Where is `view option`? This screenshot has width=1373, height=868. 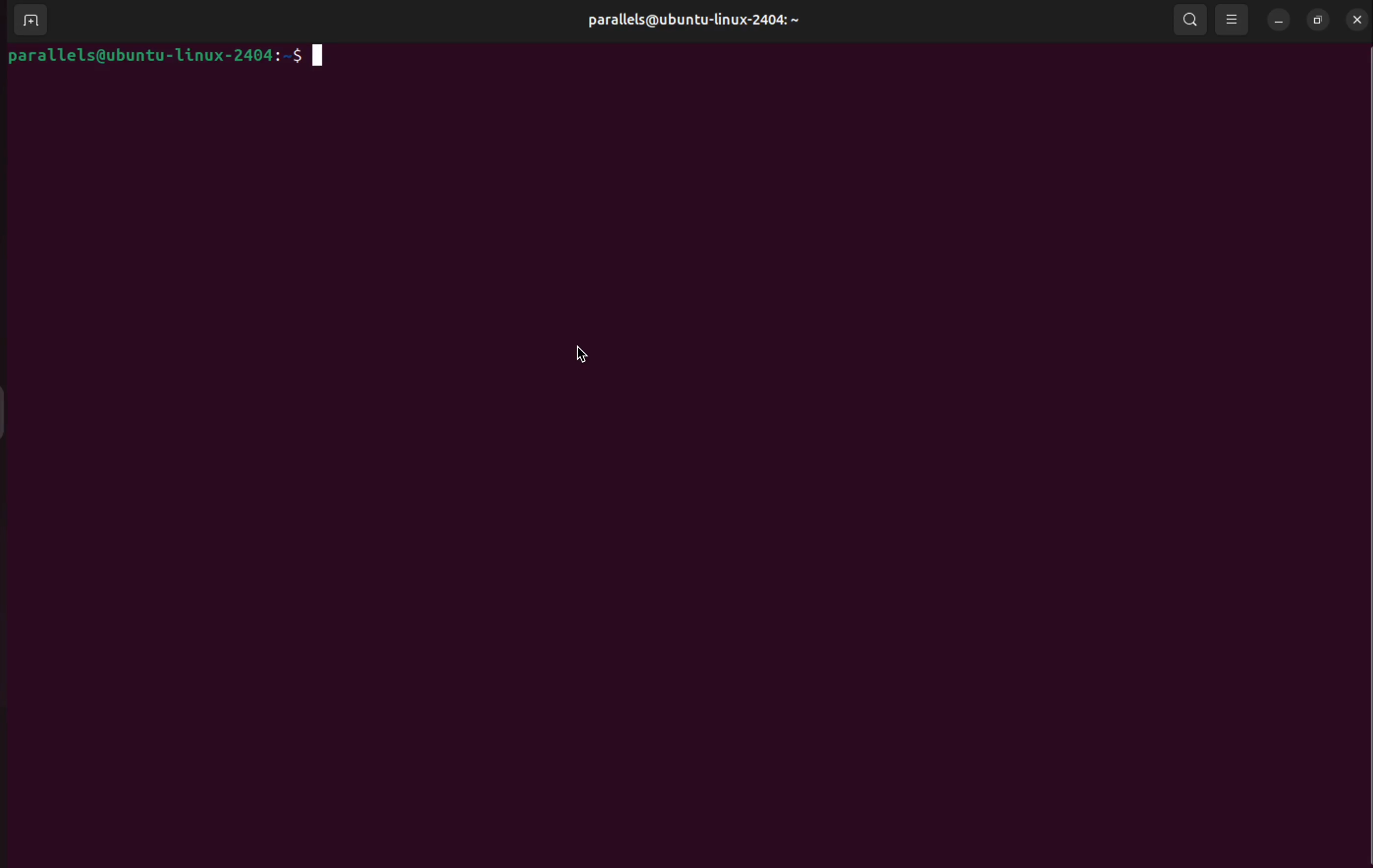
view option is located at coordinates (1234, 19).